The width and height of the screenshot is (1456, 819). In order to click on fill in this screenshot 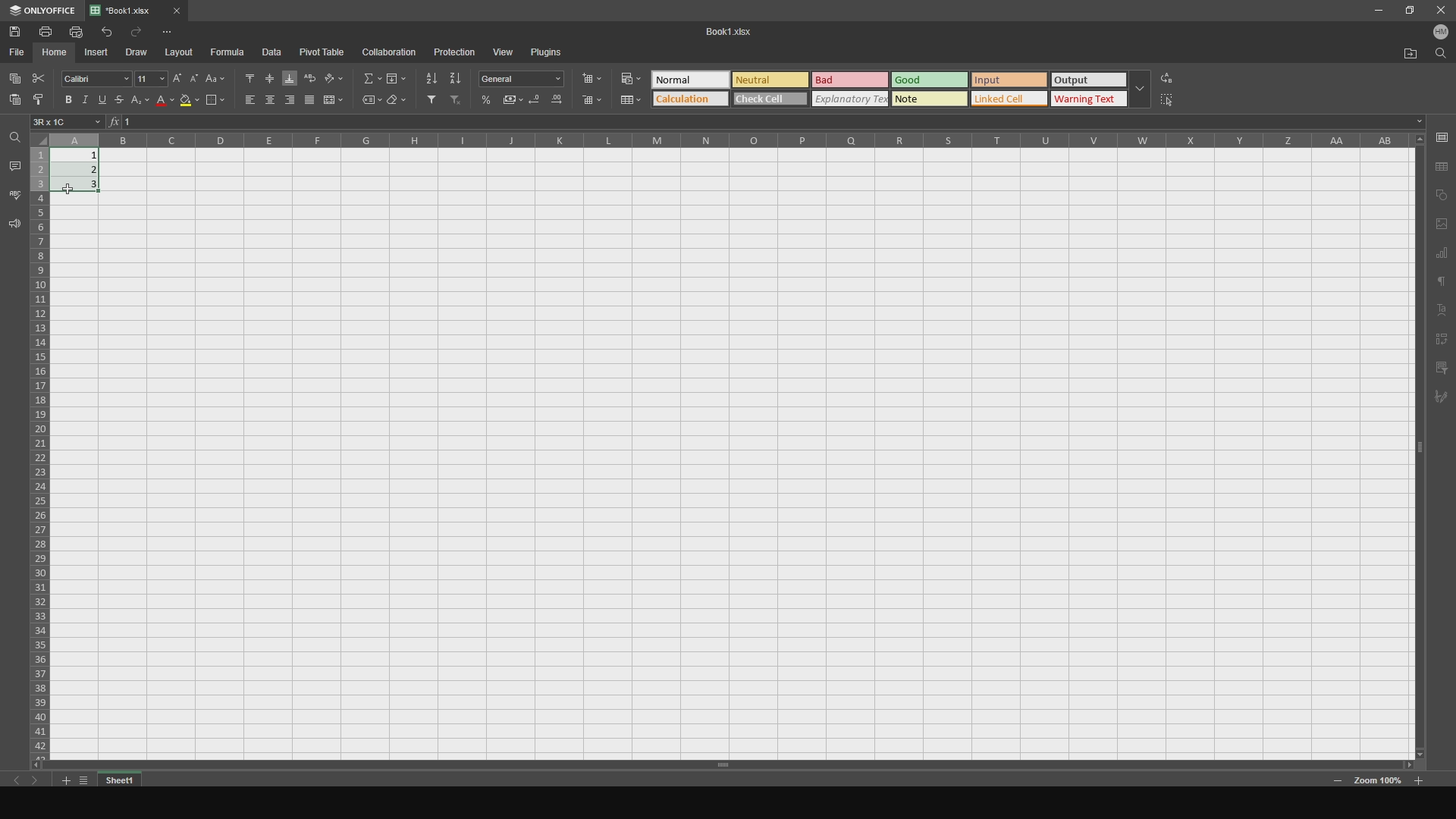, I will do `click(396, 77)`.